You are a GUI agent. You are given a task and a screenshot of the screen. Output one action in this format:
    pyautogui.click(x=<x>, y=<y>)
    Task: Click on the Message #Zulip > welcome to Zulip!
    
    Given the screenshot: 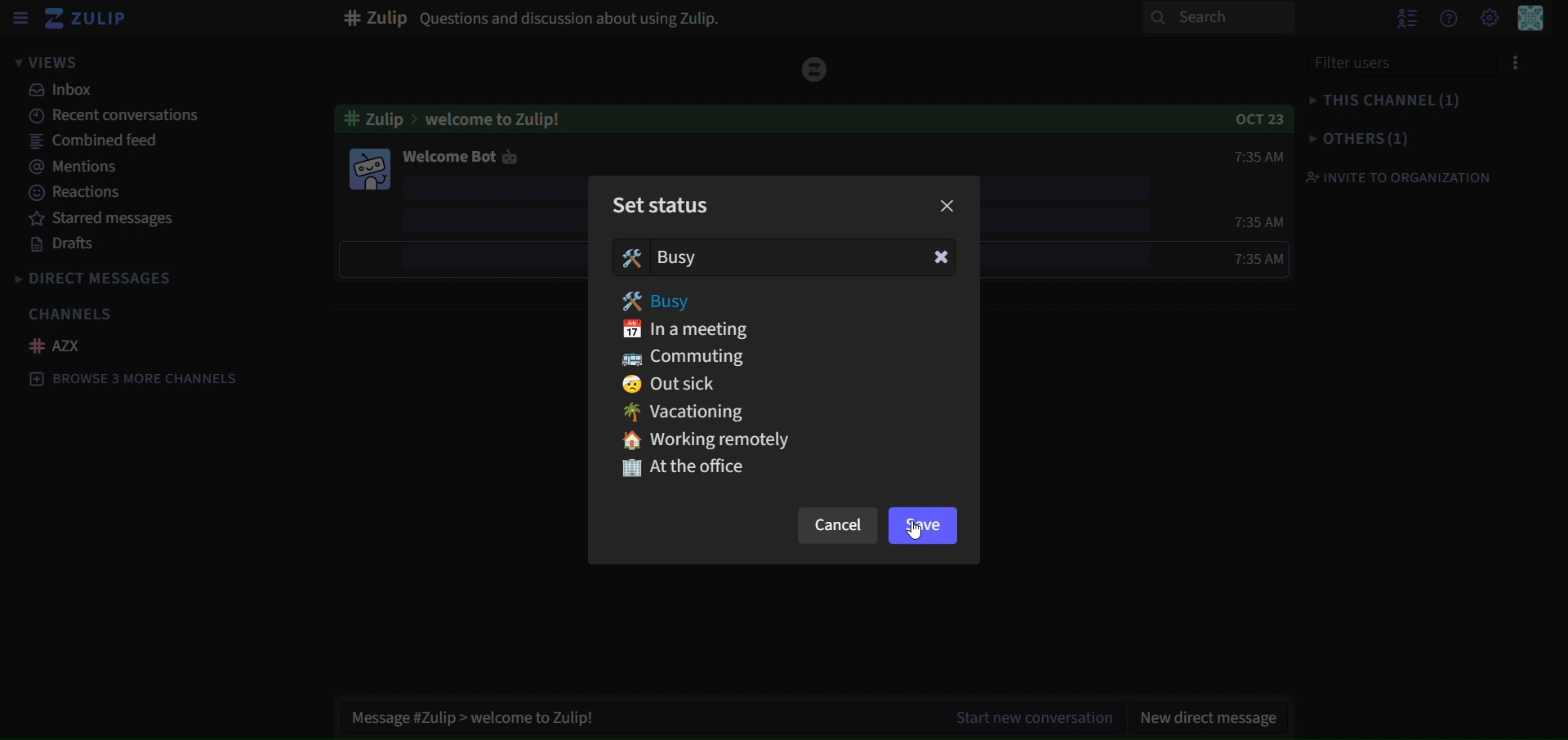 What is the action you would take?
    pyautogui.click(x=473, y=720)
    